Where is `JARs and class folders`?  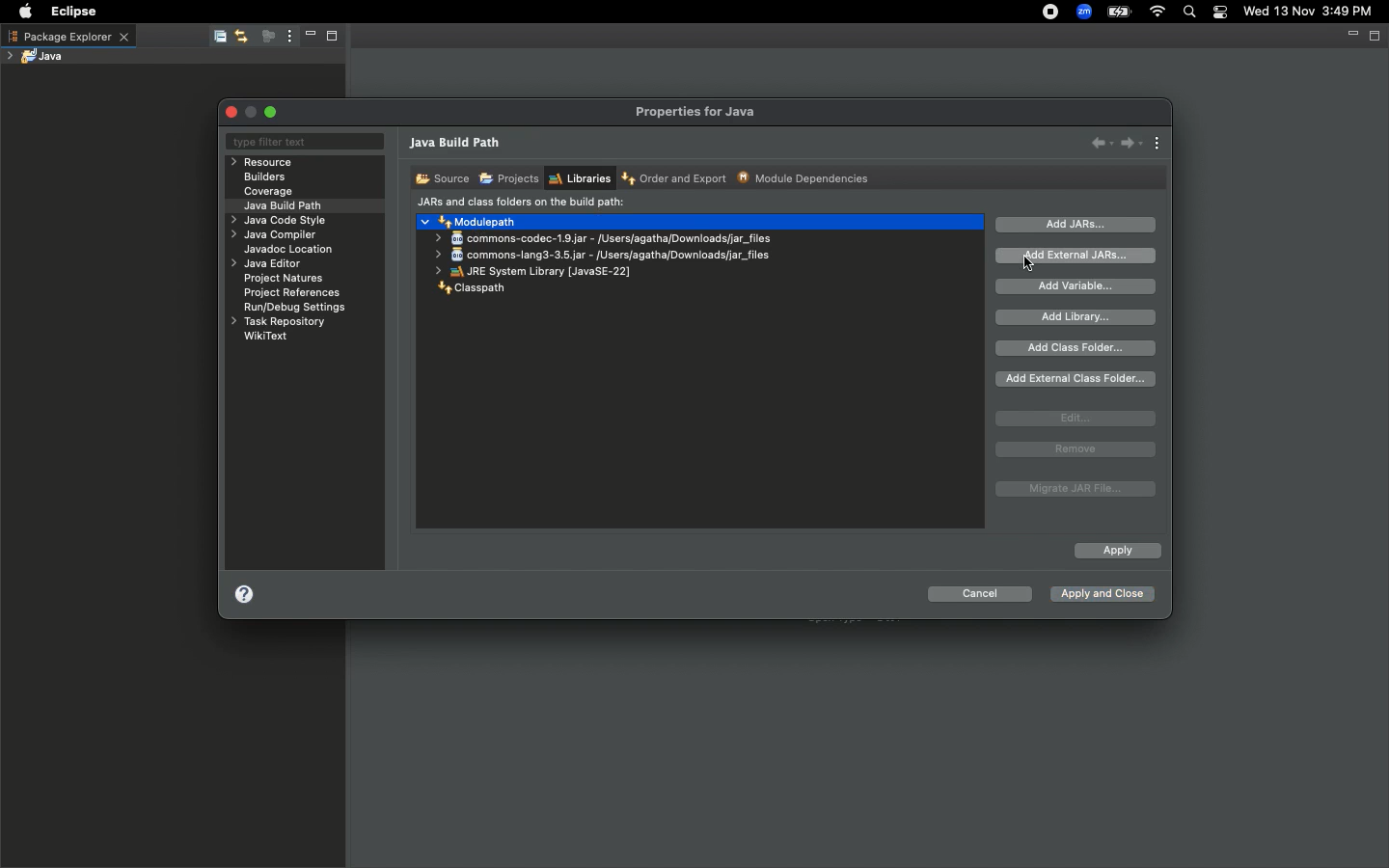 JARs and class folders is located at coordinates (521, 203).